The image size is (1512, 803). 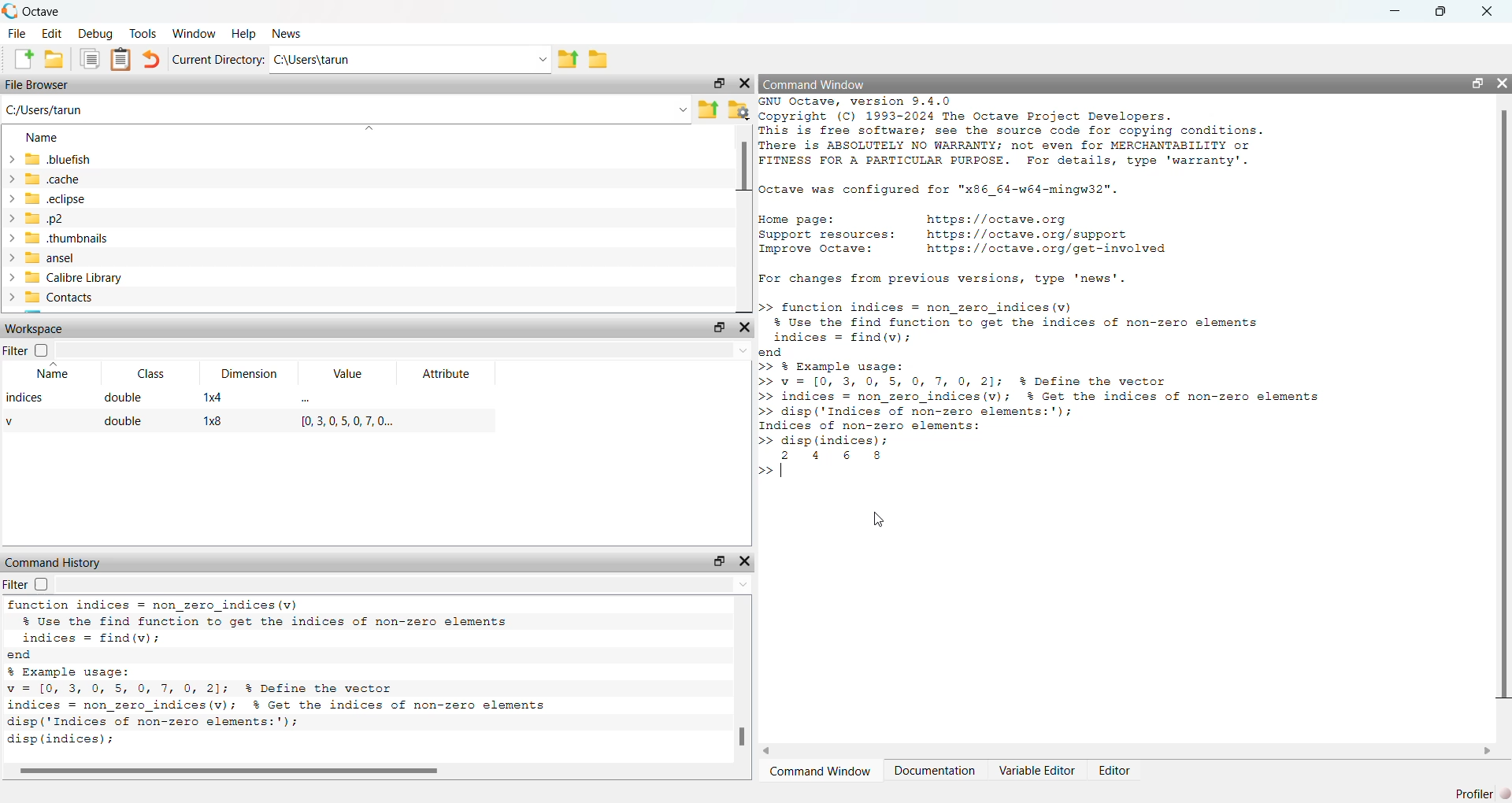 What do you see at coordinates (220, 400) in the screenshot?
I see `1x4` at bounding box center [220, 400].